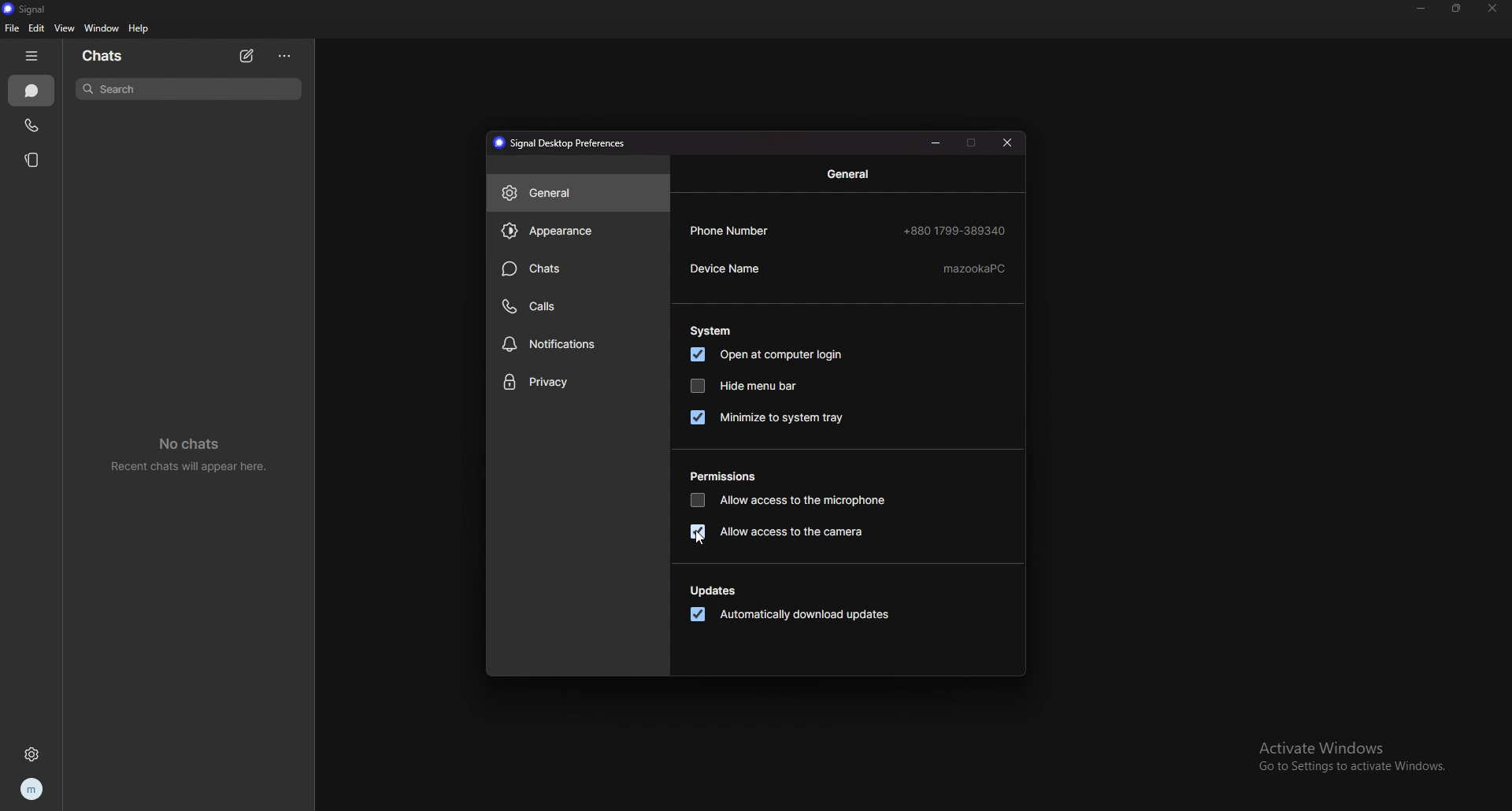 The image size is (1512, 811). I want to click on no chats recent chats will appear here, so click(195, 457).